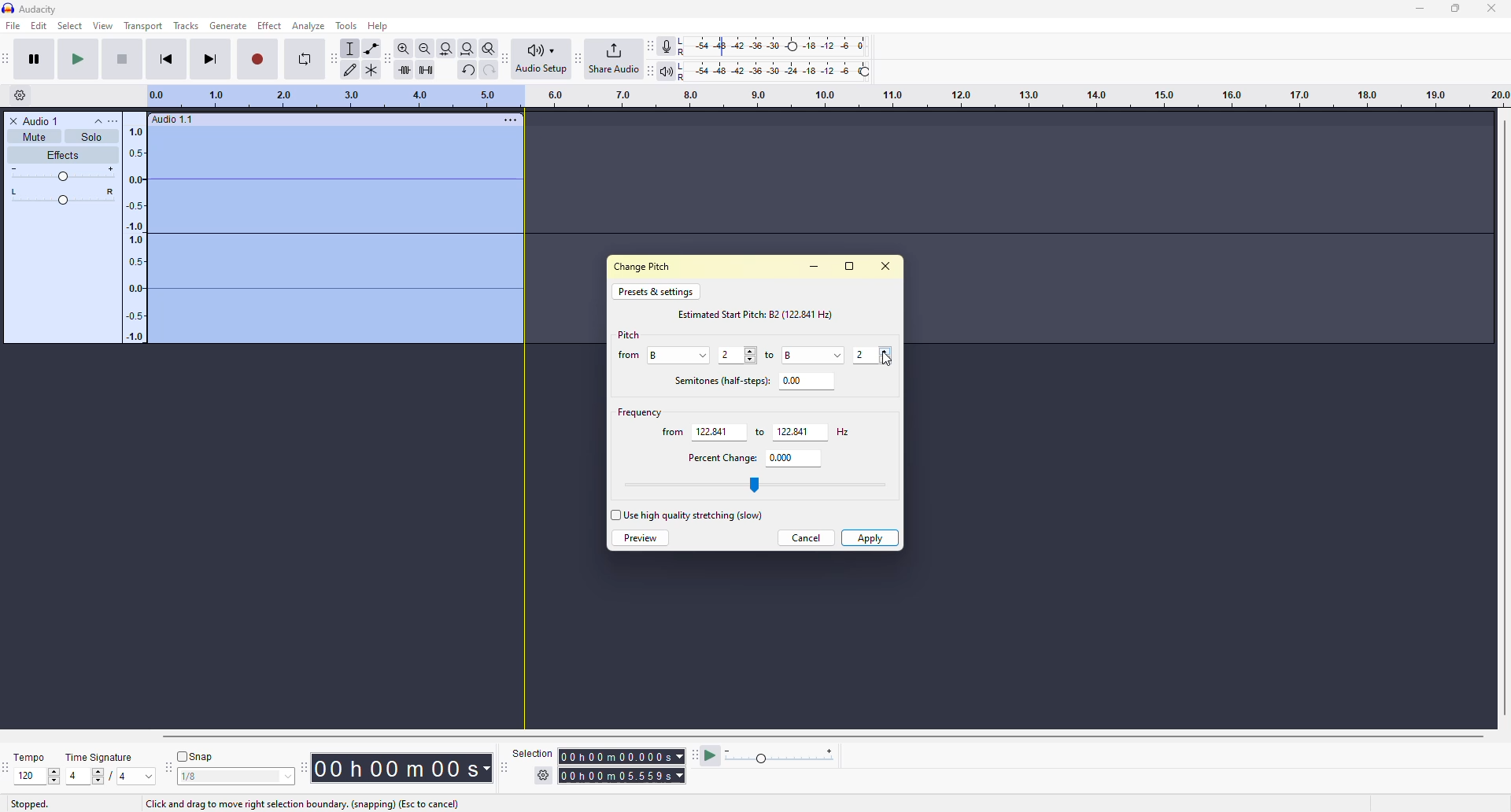 The image size is (1511, 812). Describe the element at coordinates (33, 756) in the screenshot. I see `tempo` at that location.